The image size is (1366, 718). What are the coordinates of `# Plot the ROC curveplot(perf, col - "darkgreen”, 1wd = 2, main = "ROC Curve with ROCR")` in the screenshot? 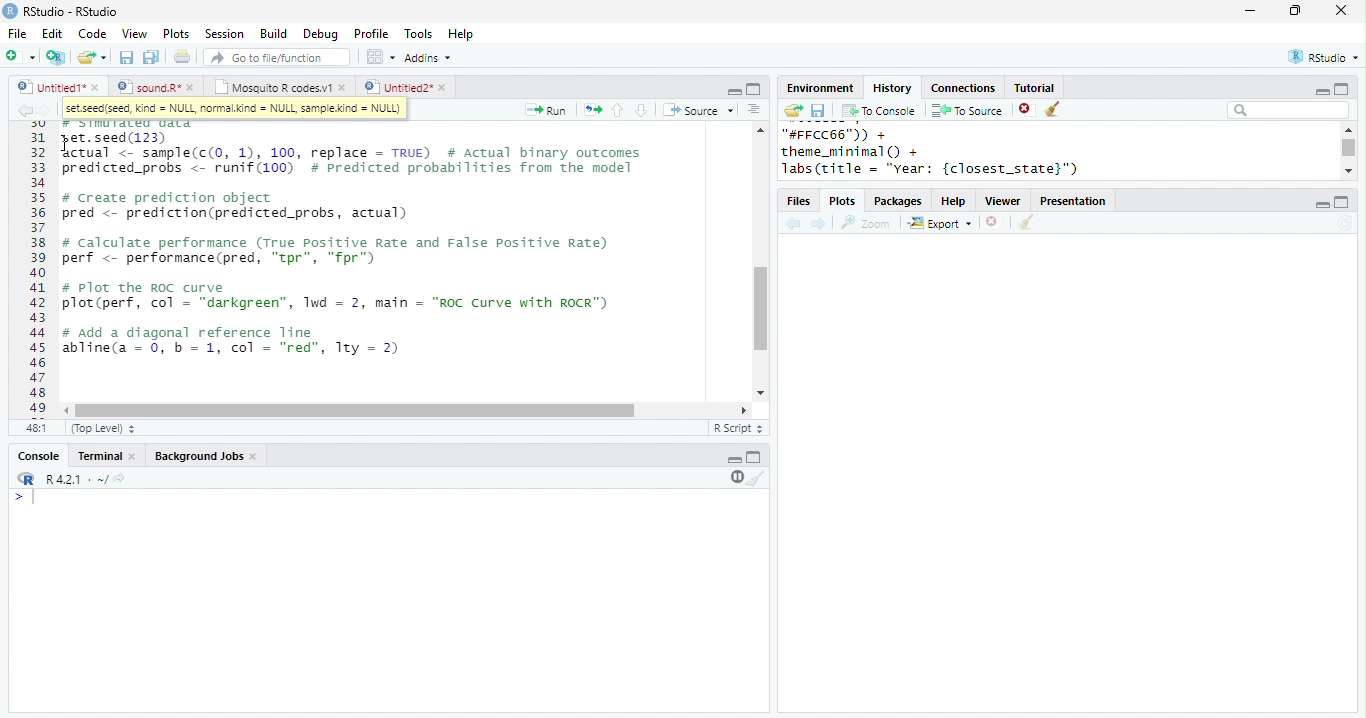 It's located at (339, 297).